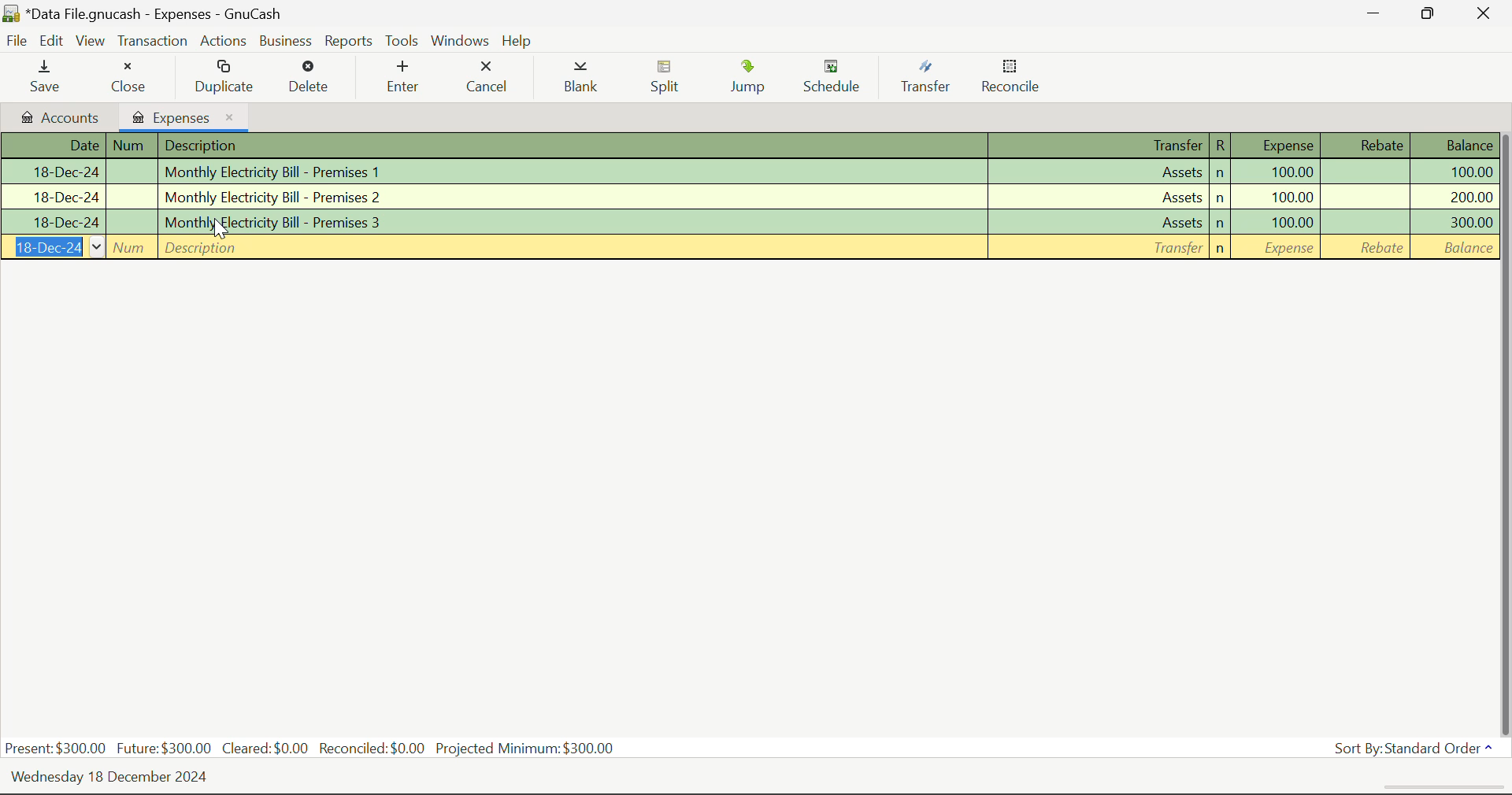 The width and height of the screenshot is (1512, 795). I want to click on New Transaction Field, so click(748, 248).